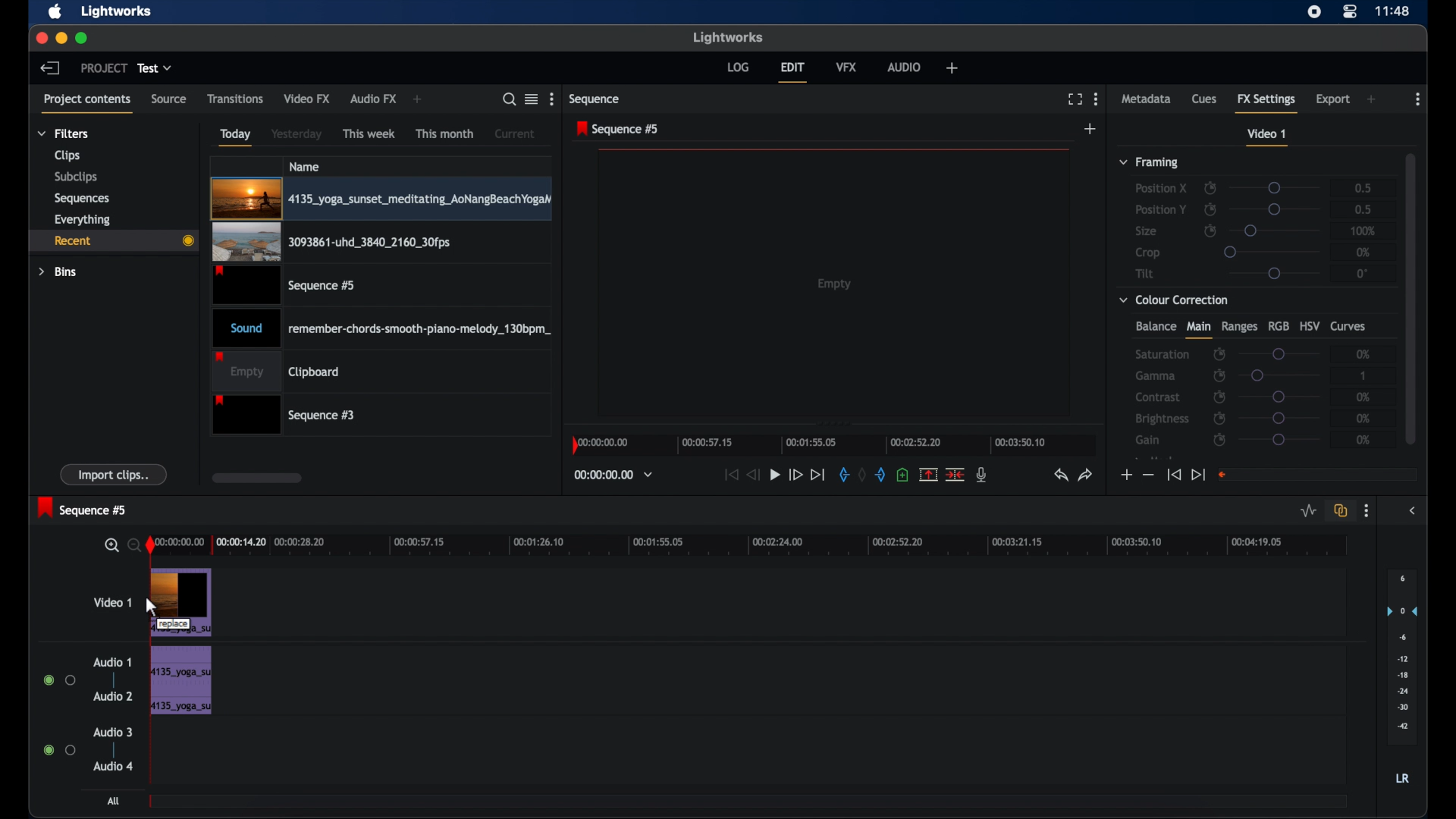 Image resolution: width=1456 pixels, height=819 pixels. Describe the element at coordinates (1279, 325) in the screenshot. I see `rgb` at that location.